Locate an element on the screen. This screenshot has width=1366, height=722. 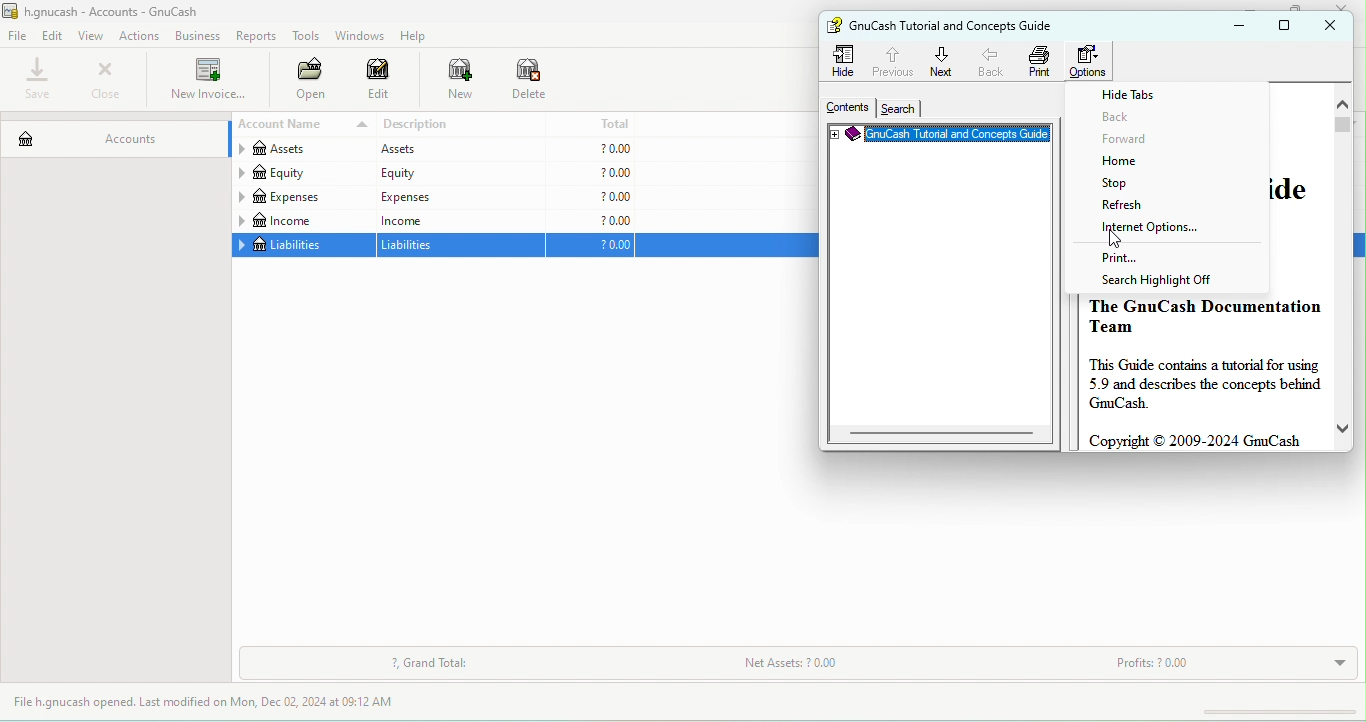
minimize is located at coordinates (1235, 26).